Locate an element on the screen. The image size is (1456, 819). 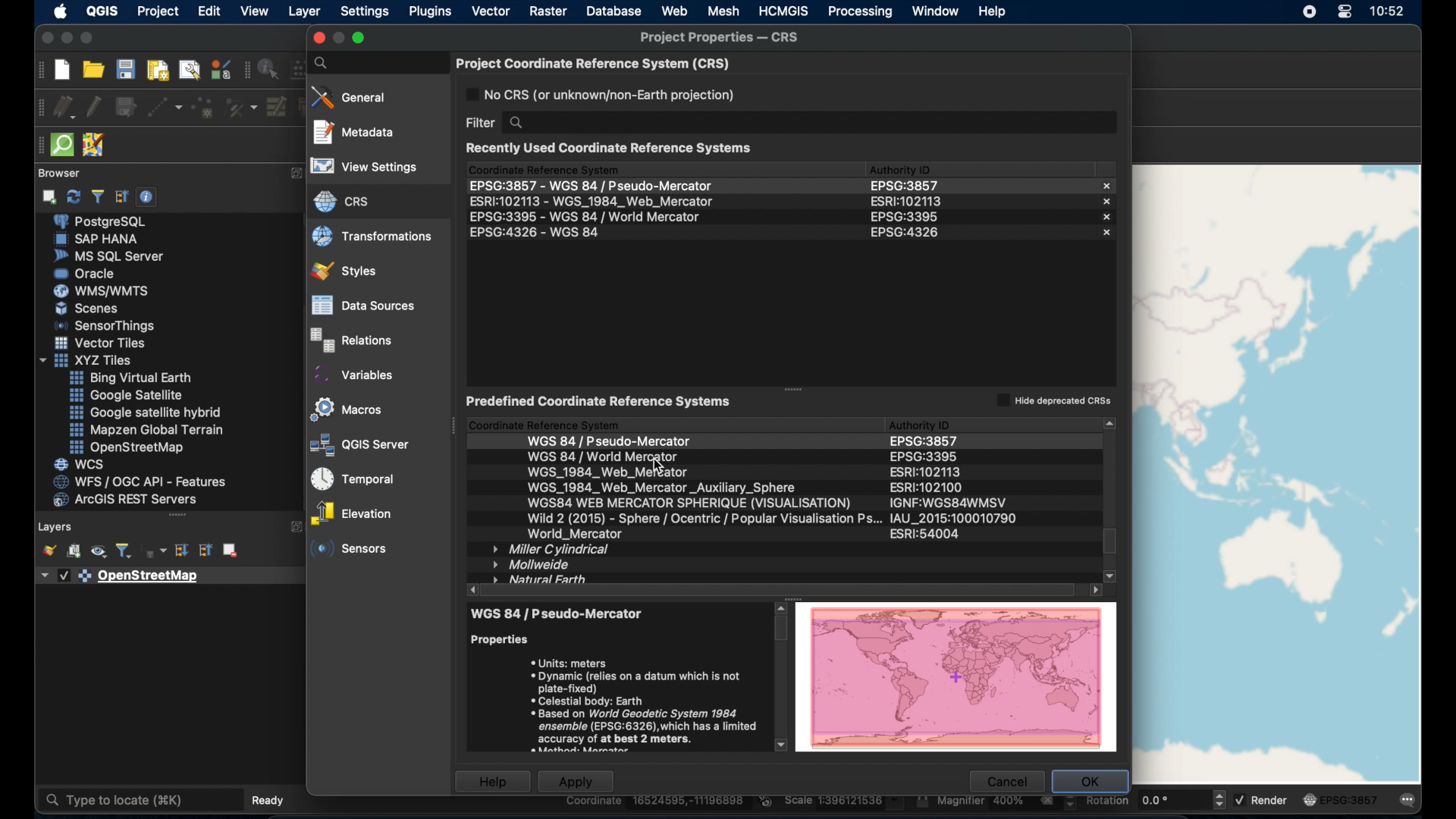
collapse all is located at coordinates (206, 551).